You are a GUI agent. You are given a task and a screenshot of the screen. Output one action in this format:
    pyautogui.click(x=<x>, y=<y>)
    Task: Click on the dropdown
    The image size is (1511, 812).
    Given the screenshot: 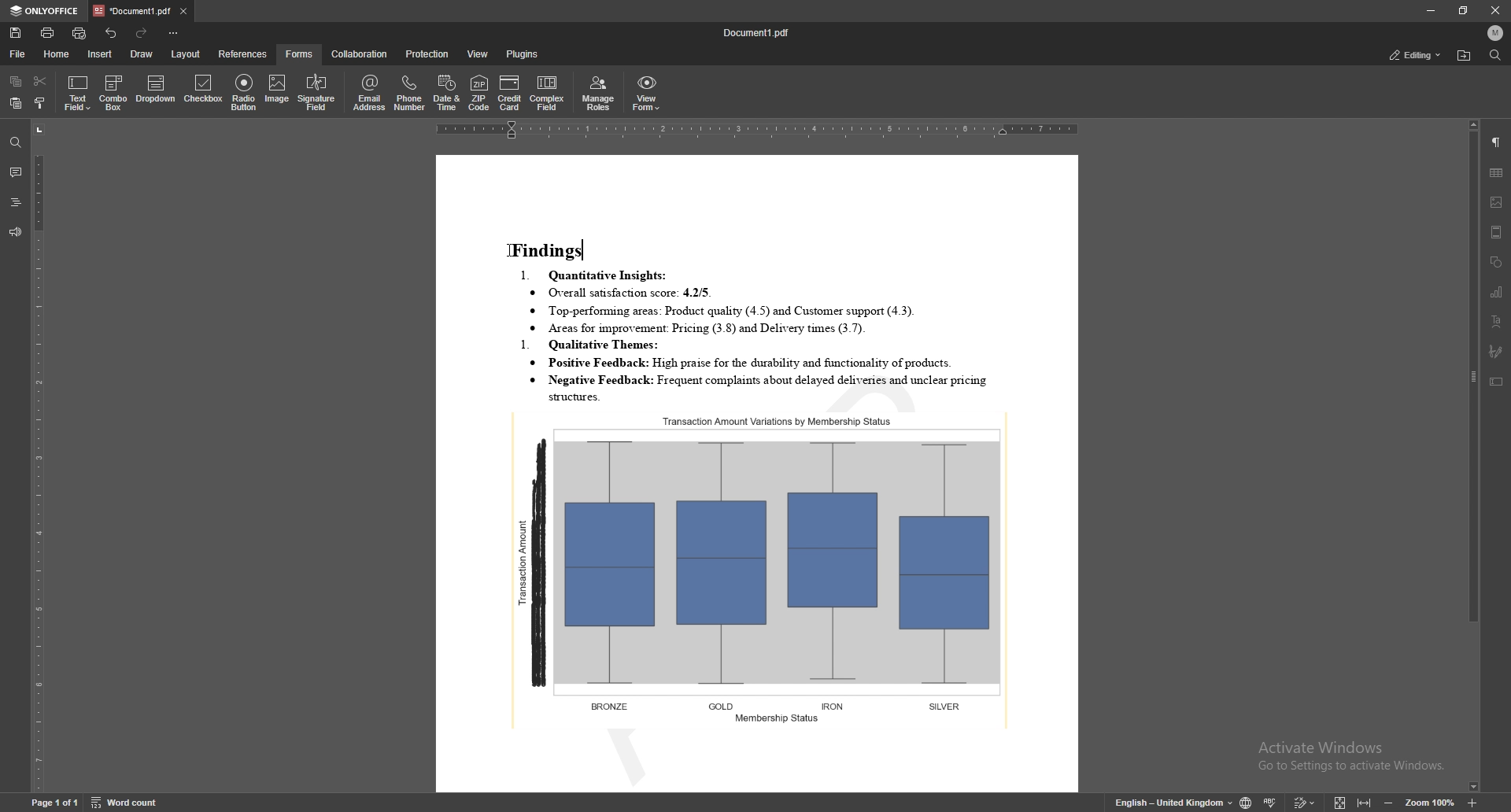 What is the action you would take?
    pyautogui.click(x=157, y=91)
    